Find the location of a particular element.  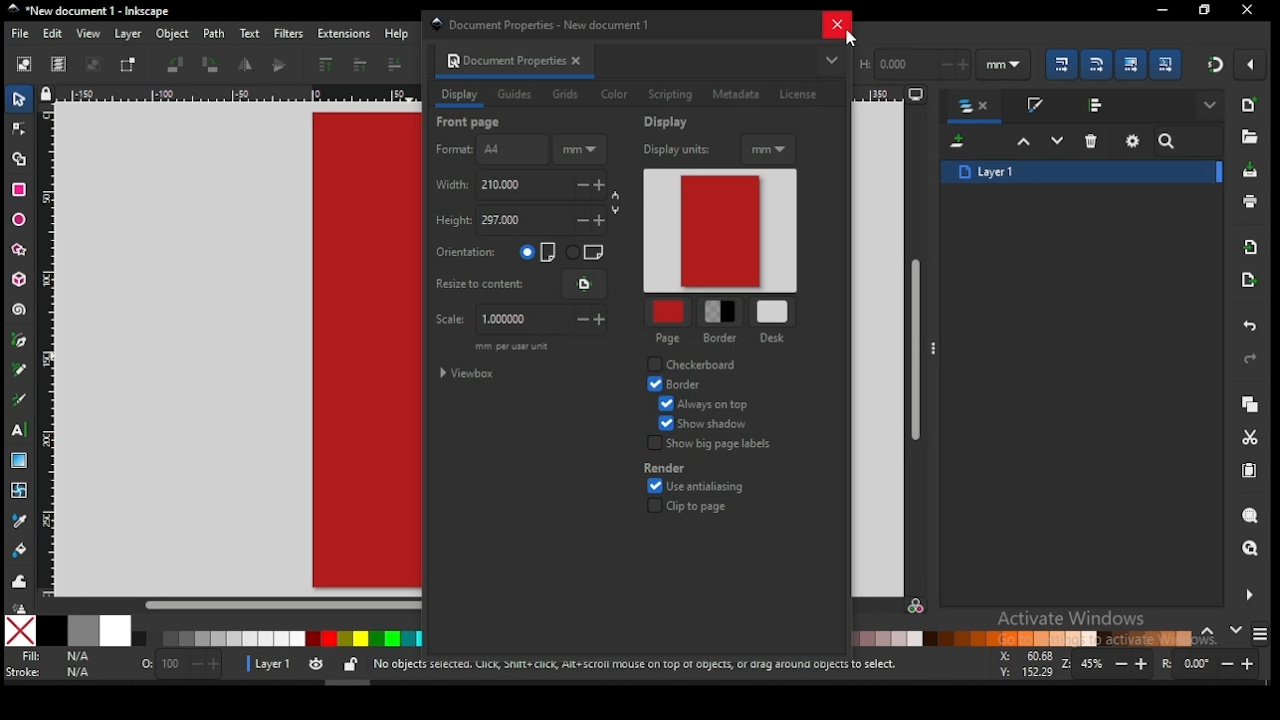

color manager mode is located at coordinates (916, 609).